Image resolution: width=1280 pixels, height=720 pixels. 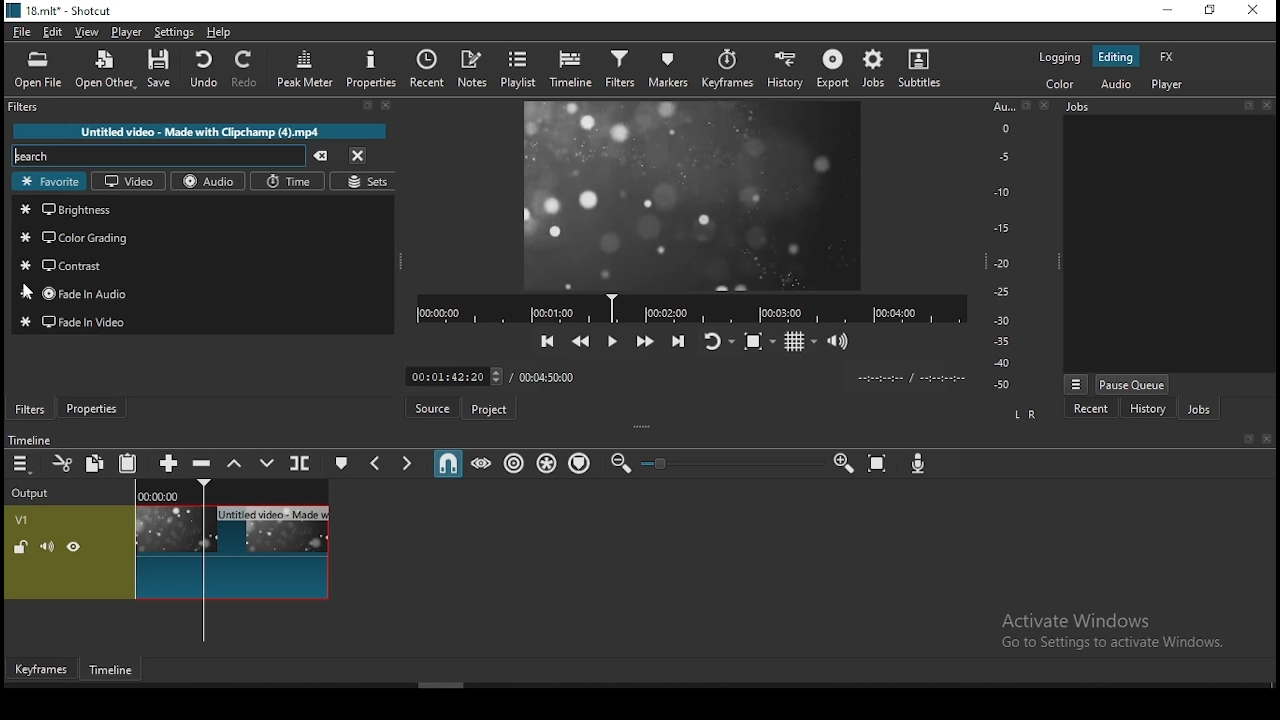 What do you see at coordinates (548, 341) in the screenshot?
I see `skip to the previous point` at bounding box center [548, 341].